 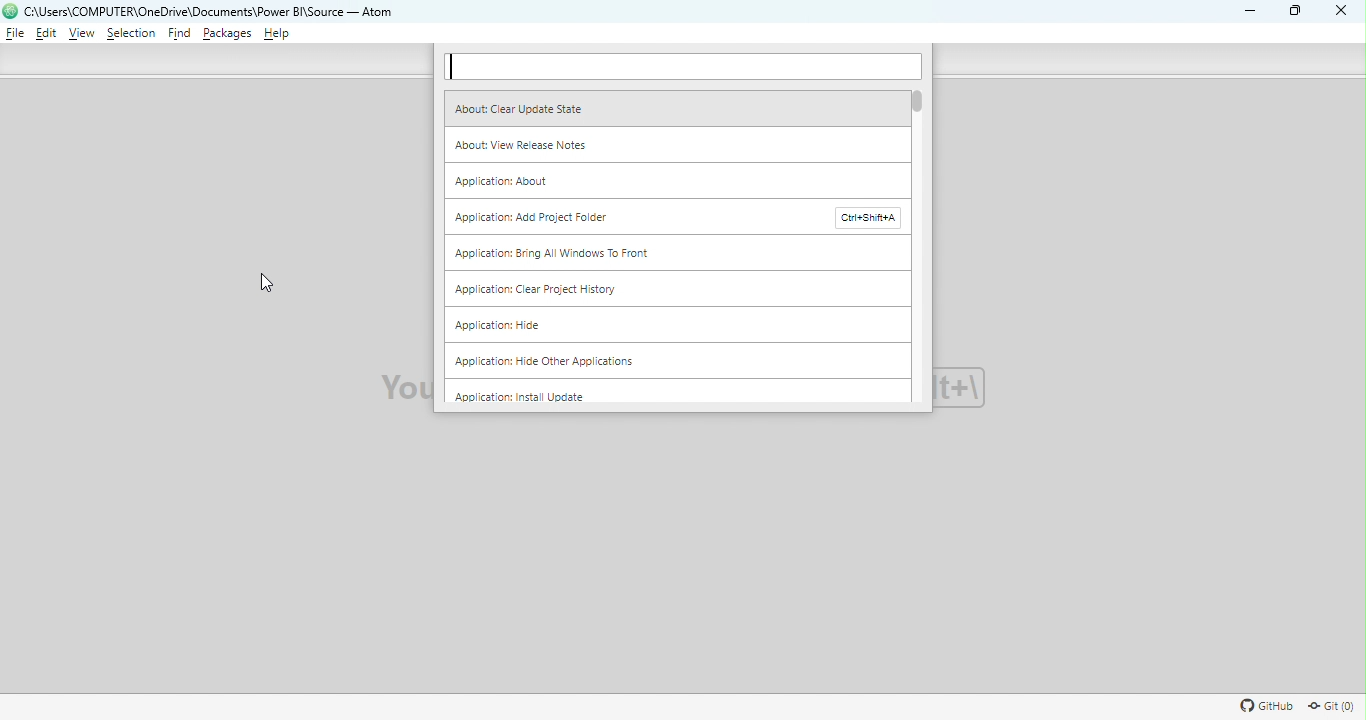 What do you see at coordinates (180, 35) in the screenshot?
I see `Find` at bounding box center [180, 35].